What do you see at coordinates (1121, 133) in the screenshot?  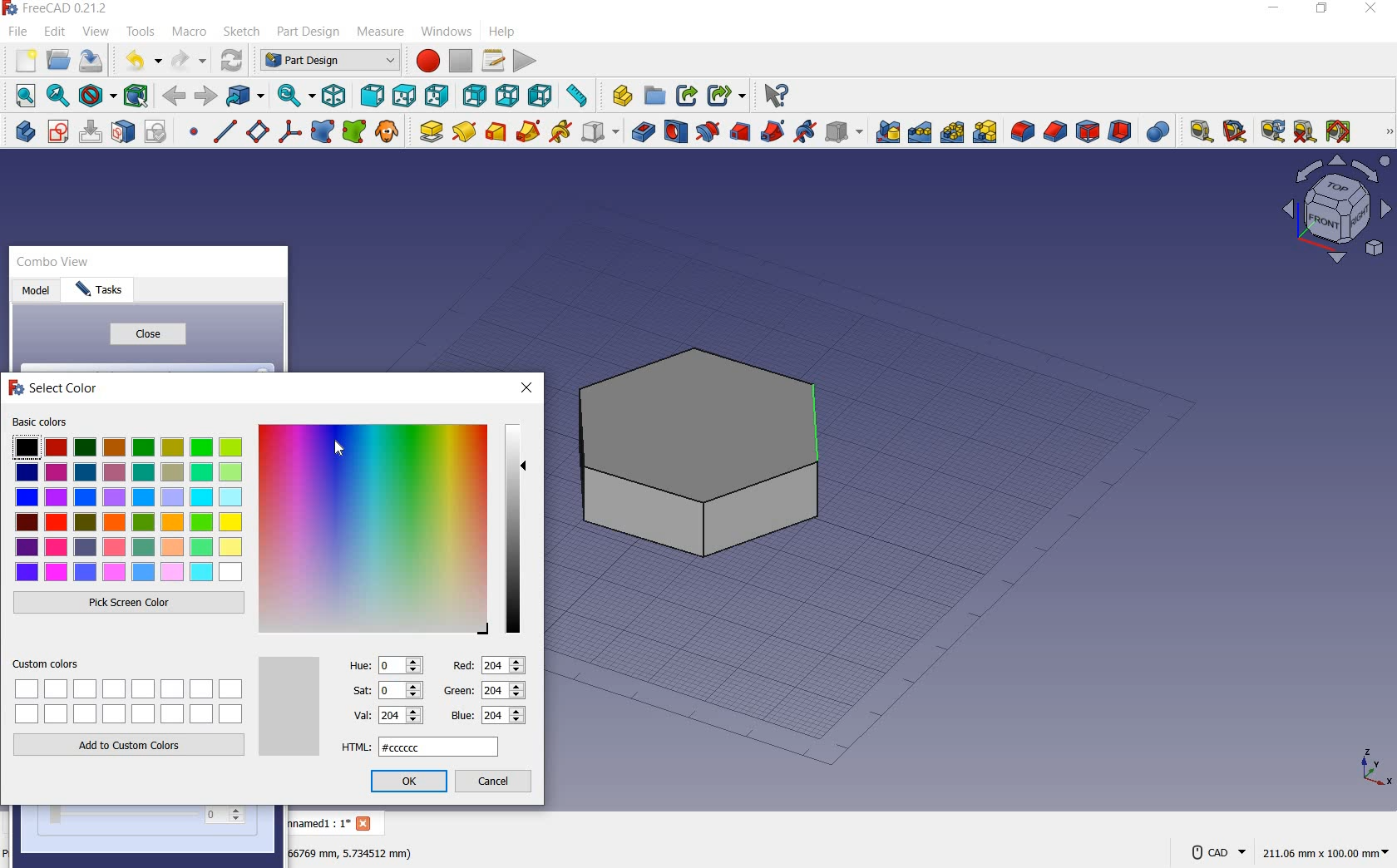 I see `thickness` at bounding box center [1121, 133].